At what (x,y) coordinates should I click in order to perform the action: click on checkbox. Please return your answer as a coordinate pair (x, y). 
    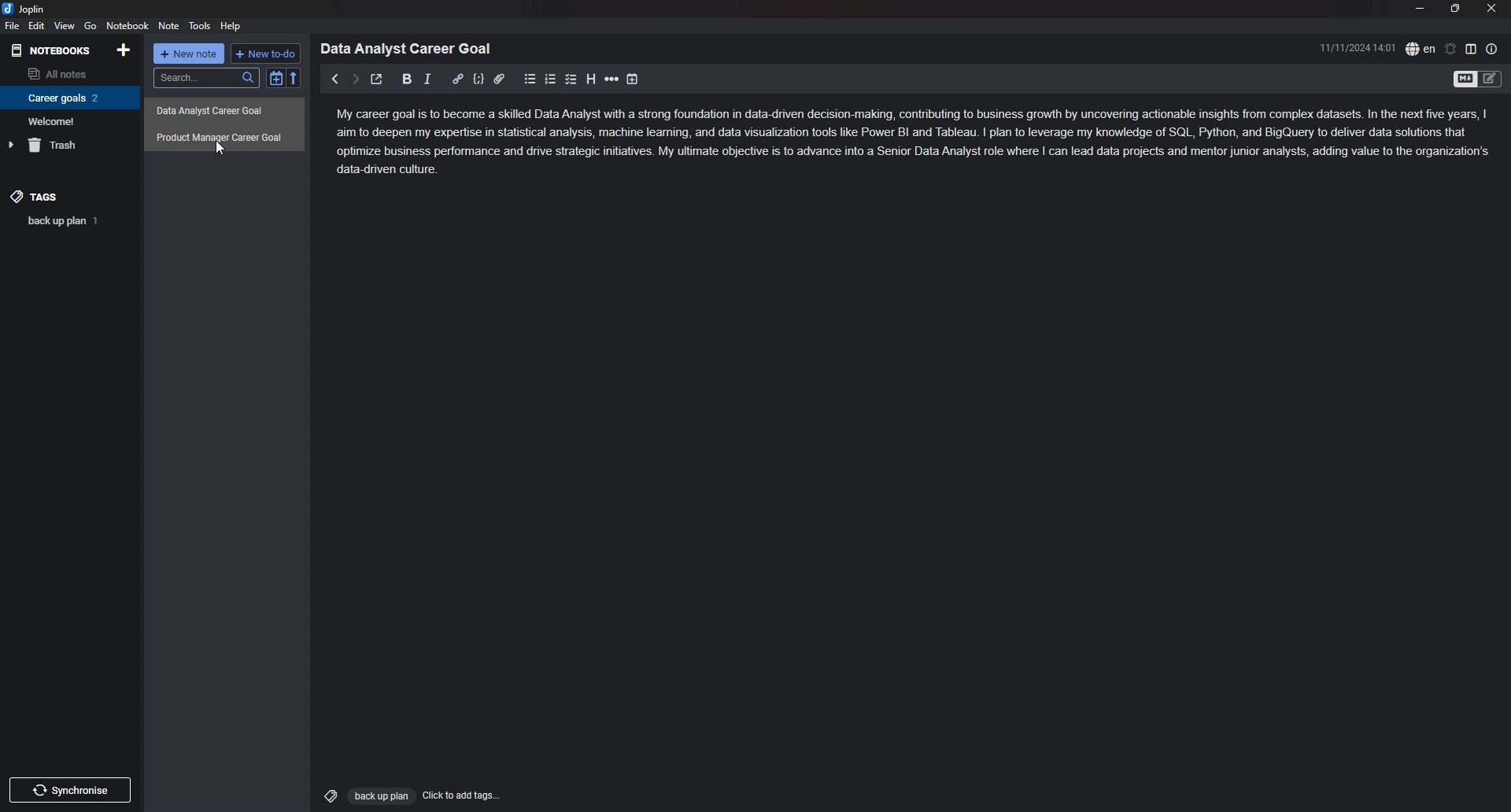
    Looking at the image, I should click on (571, 79).